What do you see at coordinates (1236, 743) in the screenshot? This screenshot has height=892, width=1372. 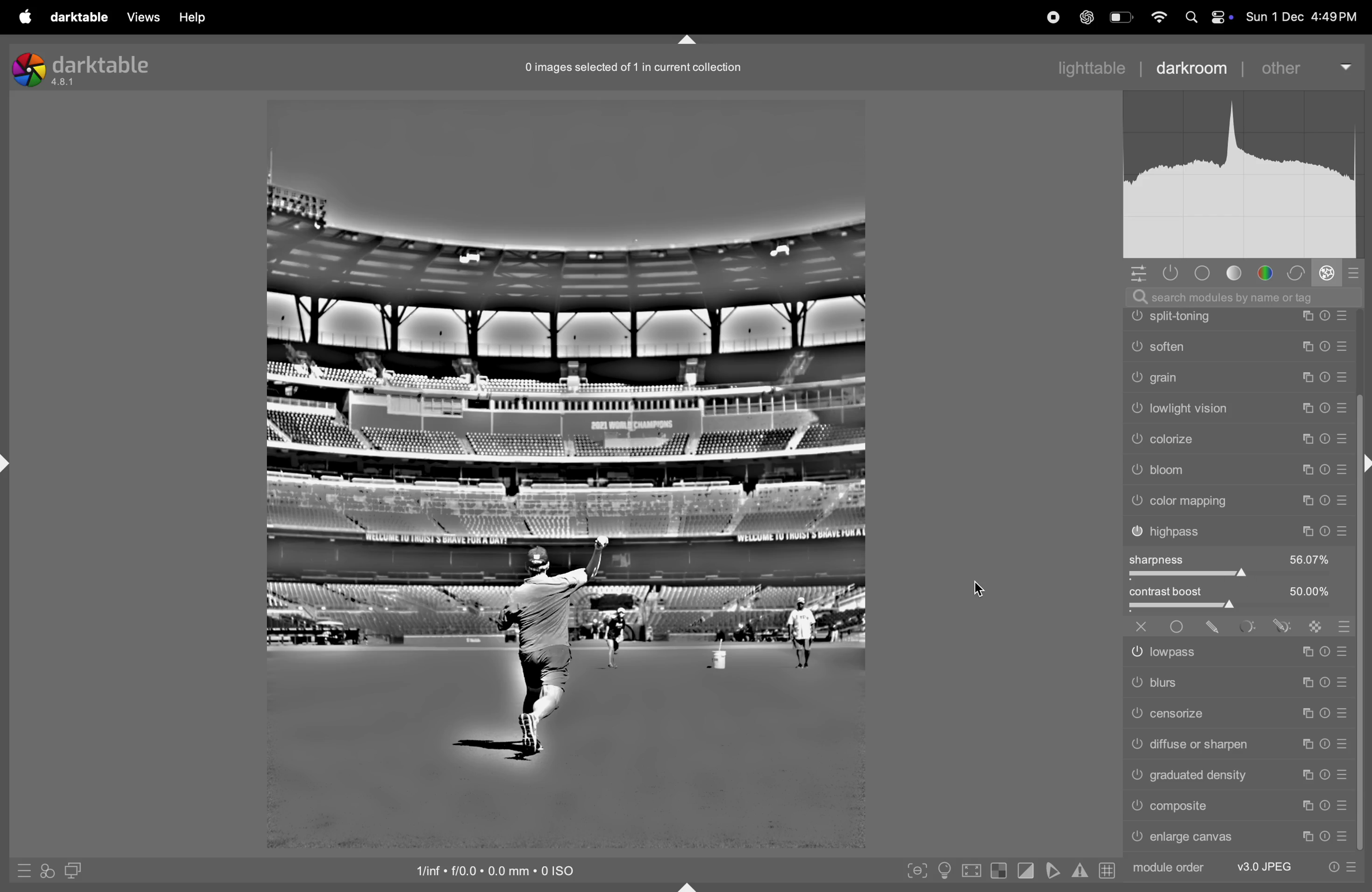 I see `difuse shapen` at bounding box center [1236, 743].